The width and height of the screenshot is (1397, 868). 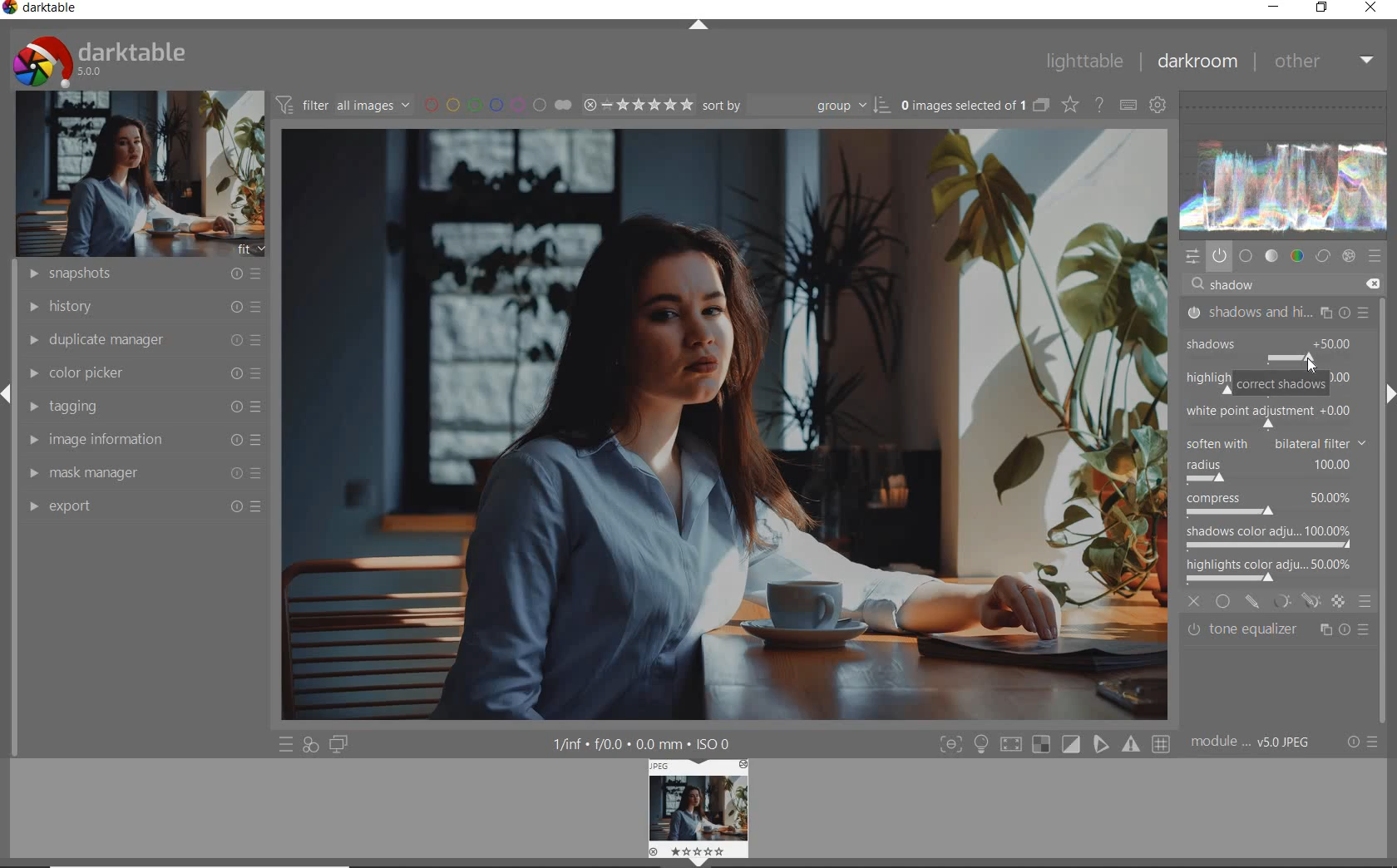 What do you see at coordinates (1268, 471) in the screenshot?
I see `radius` at bounding box center [1268, 471].